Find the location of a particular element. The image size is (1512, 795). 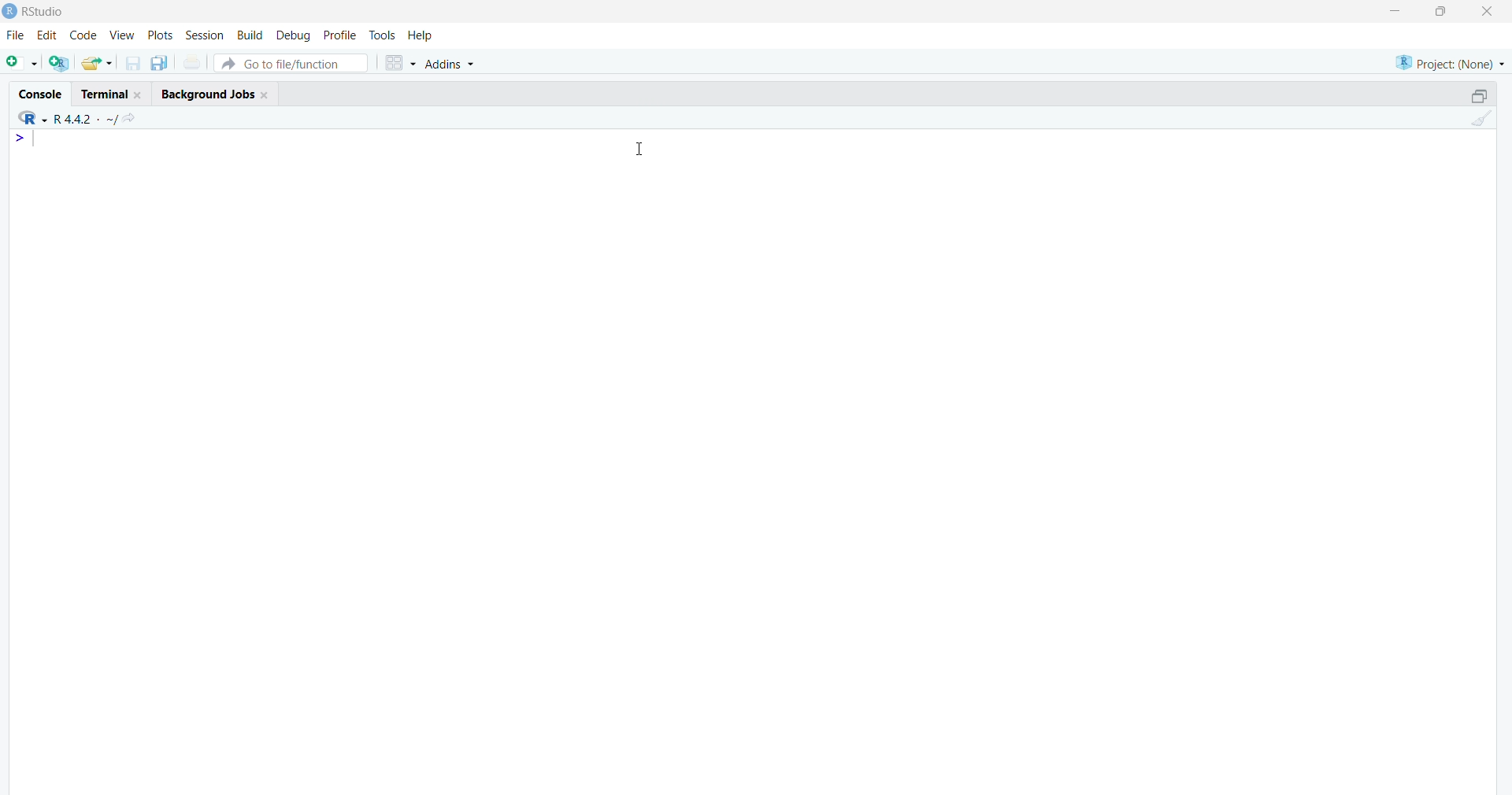

Session is located at coordinates (205, 35).